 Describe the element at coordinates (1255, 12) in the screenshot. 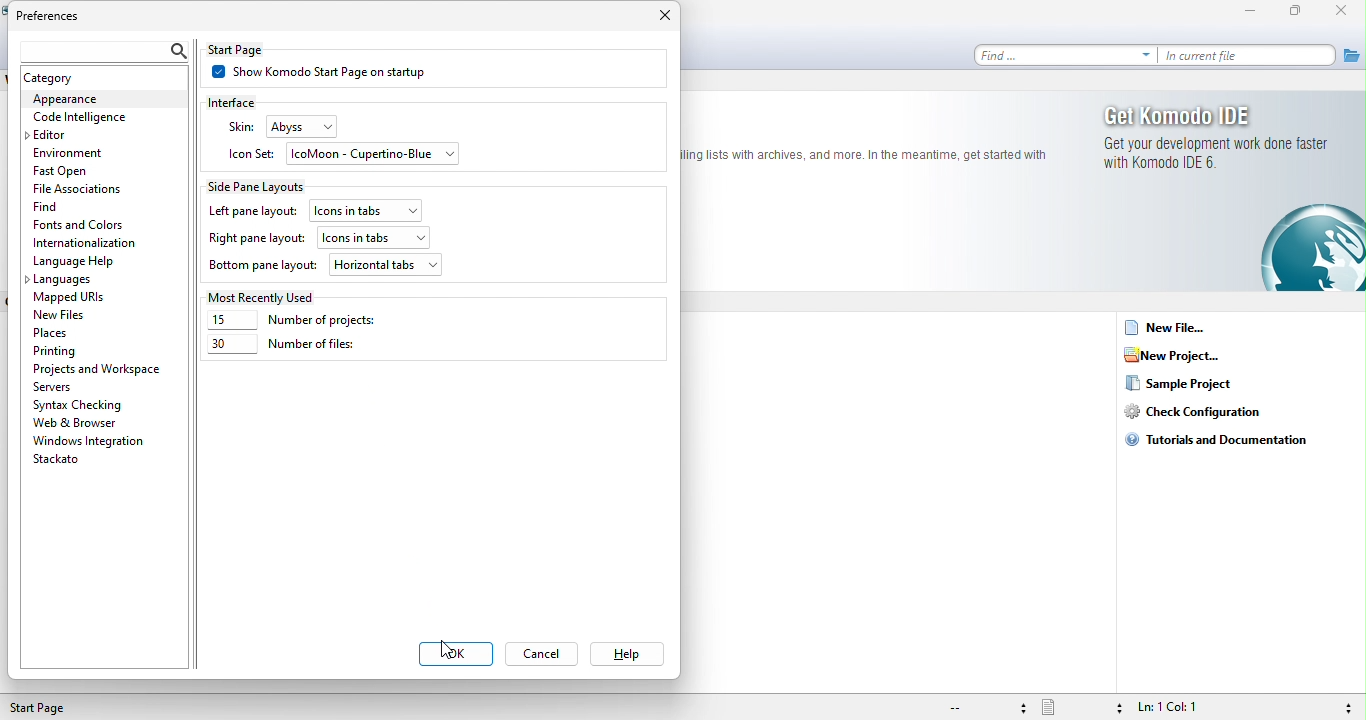

I see `minimize` at that location.